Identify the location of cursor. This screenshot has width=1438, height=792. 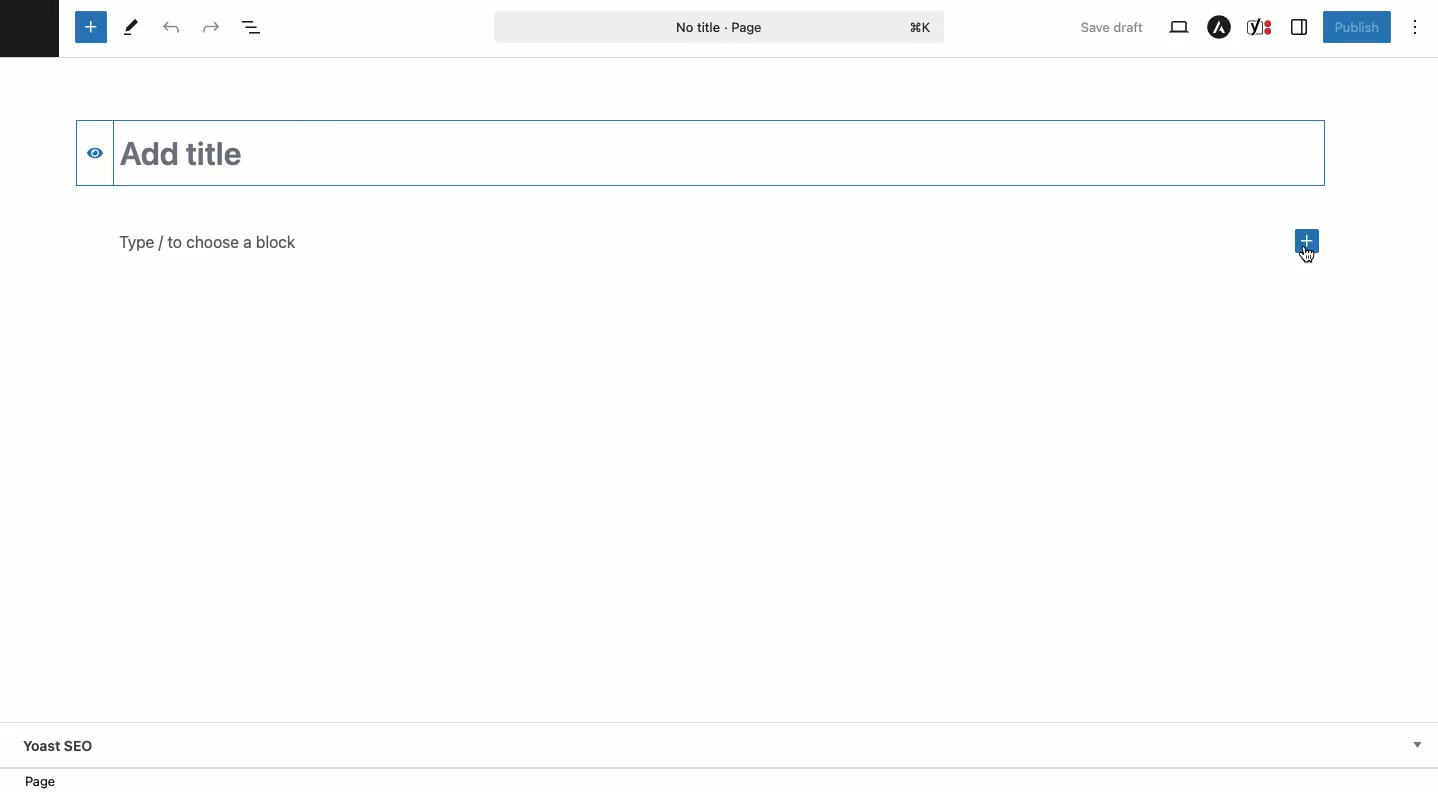
(1309, 258).